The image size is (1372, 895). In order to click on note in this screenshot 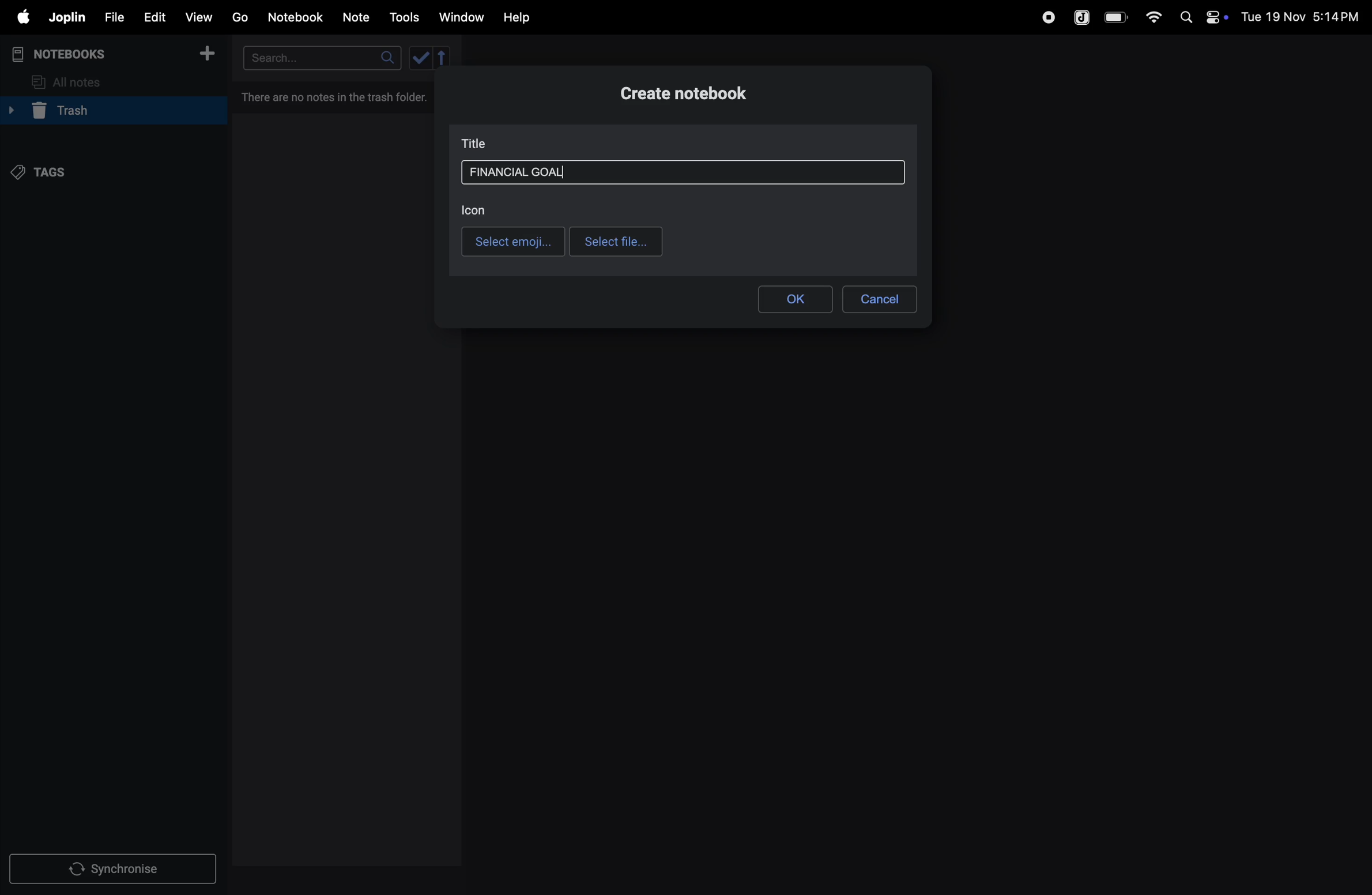, I will do `click(358, 18)`.